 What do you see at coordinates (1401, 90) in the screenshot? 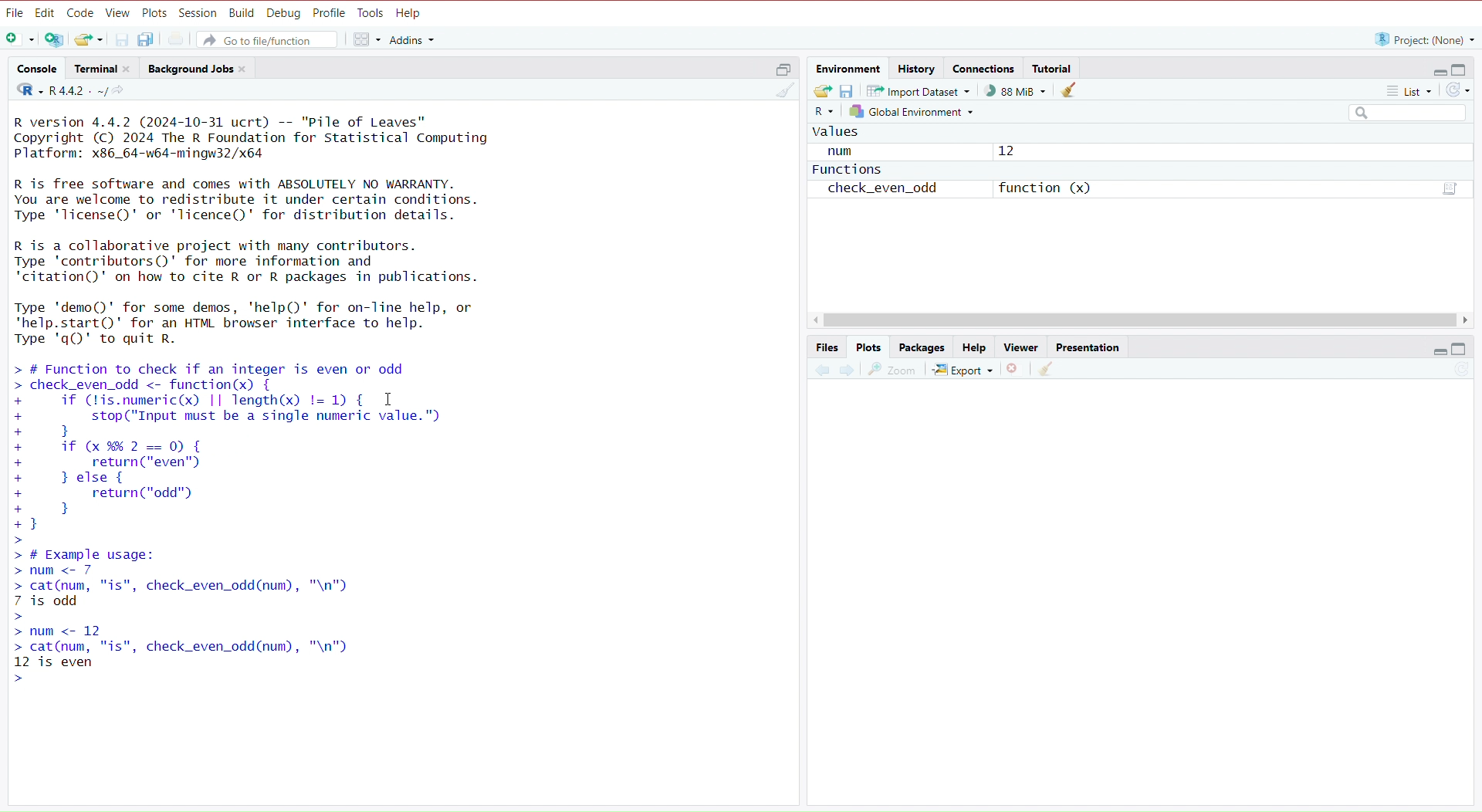
I see `list` at bounding box center [1401, 90].